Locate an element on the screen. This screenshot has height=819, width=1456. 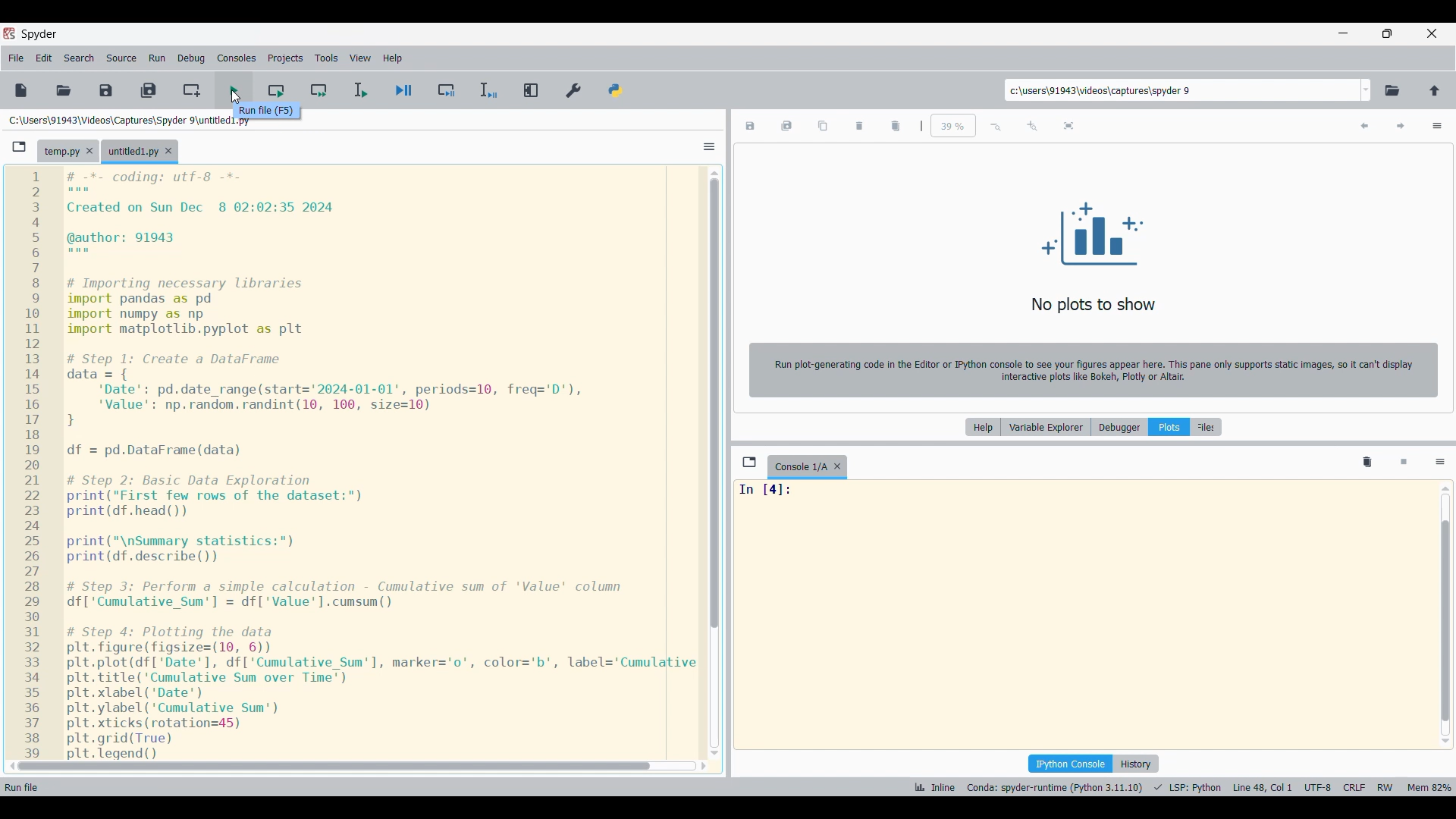
Debug cell is located at coordinates (448, 90).